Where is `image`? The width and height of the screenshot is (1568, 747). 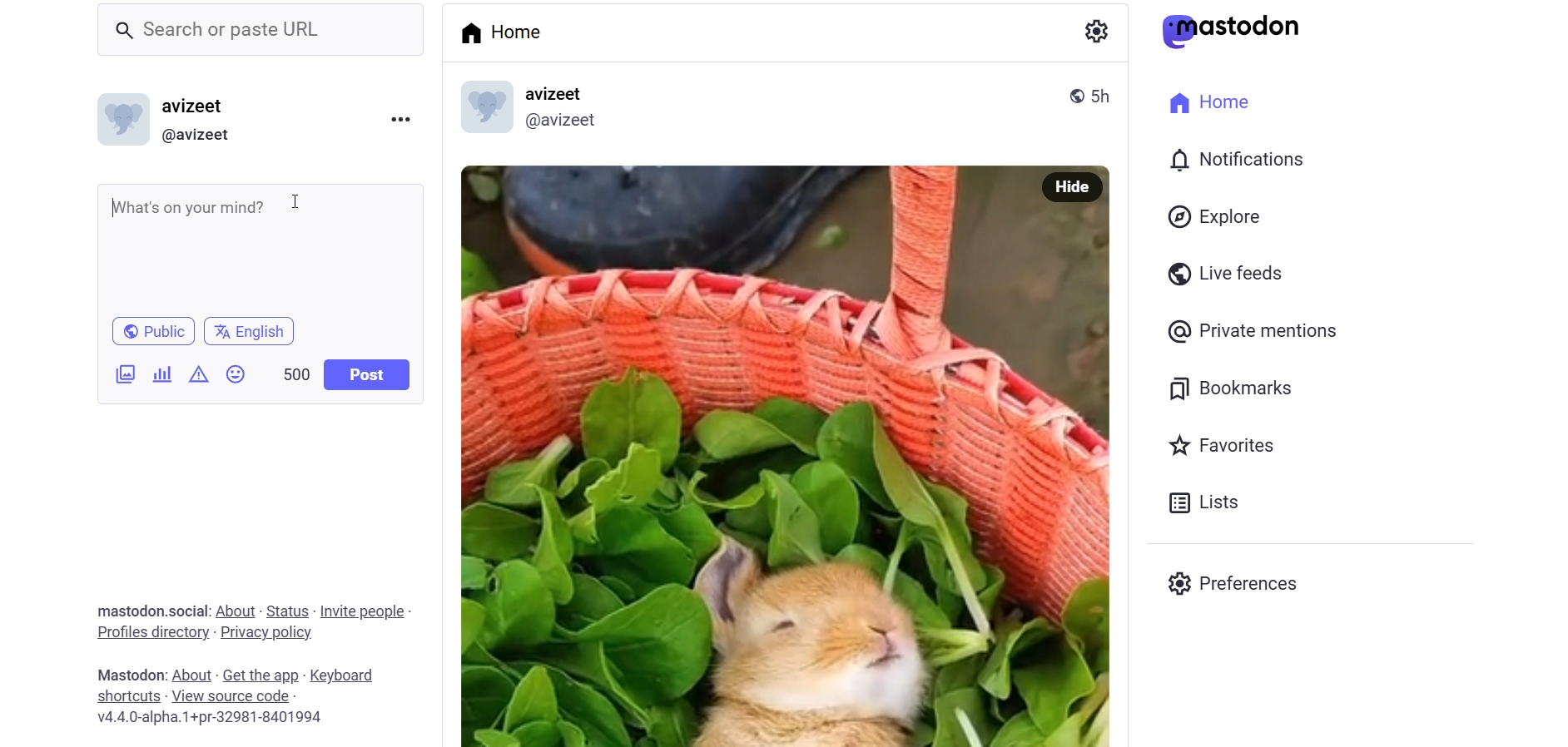 image is located at coordinates (742, 453).